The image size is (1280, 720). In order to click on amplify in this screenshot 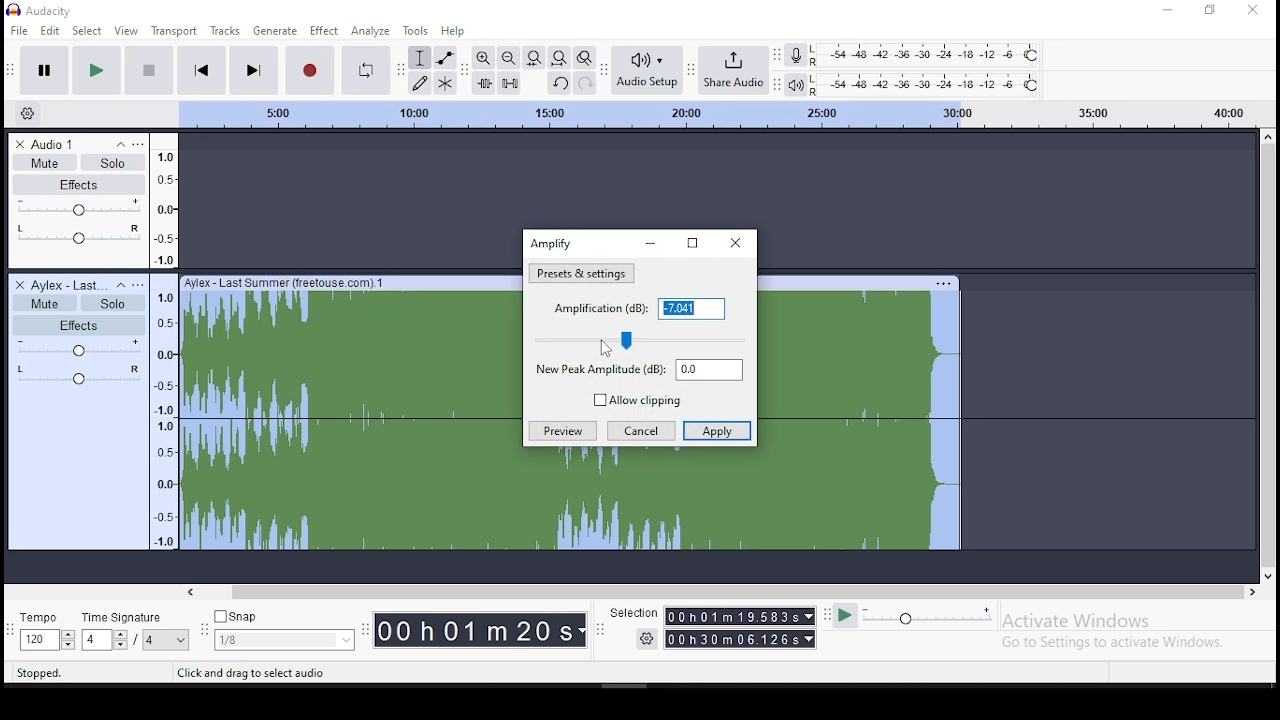, I will do `click(553, 242)`.